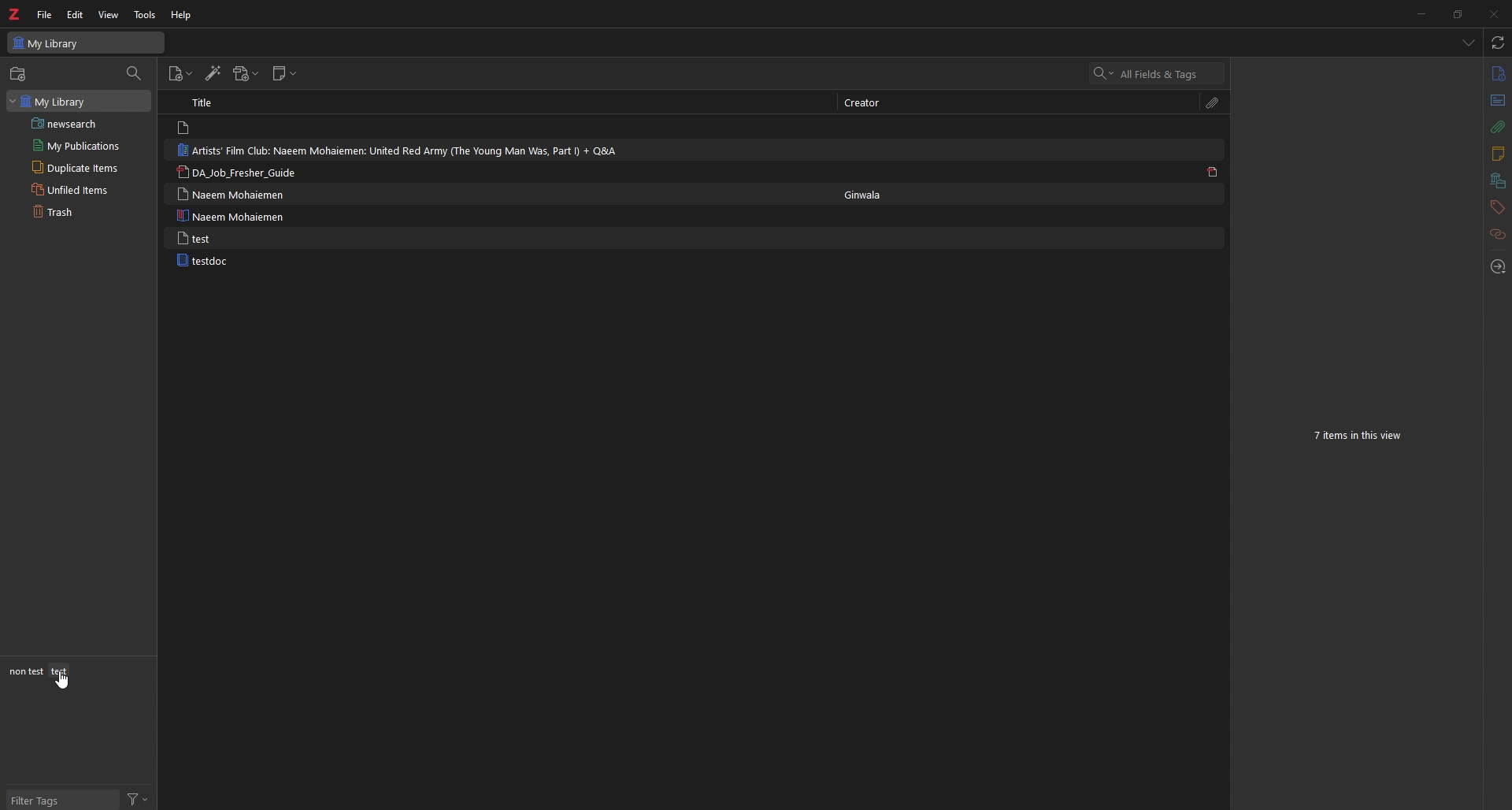 The image size is (1512, 810). What do you see at coordinates (243, 172) in the screenshot?
I see `DA_Job_Fresher_Guide` at bounding box center [243, 172].